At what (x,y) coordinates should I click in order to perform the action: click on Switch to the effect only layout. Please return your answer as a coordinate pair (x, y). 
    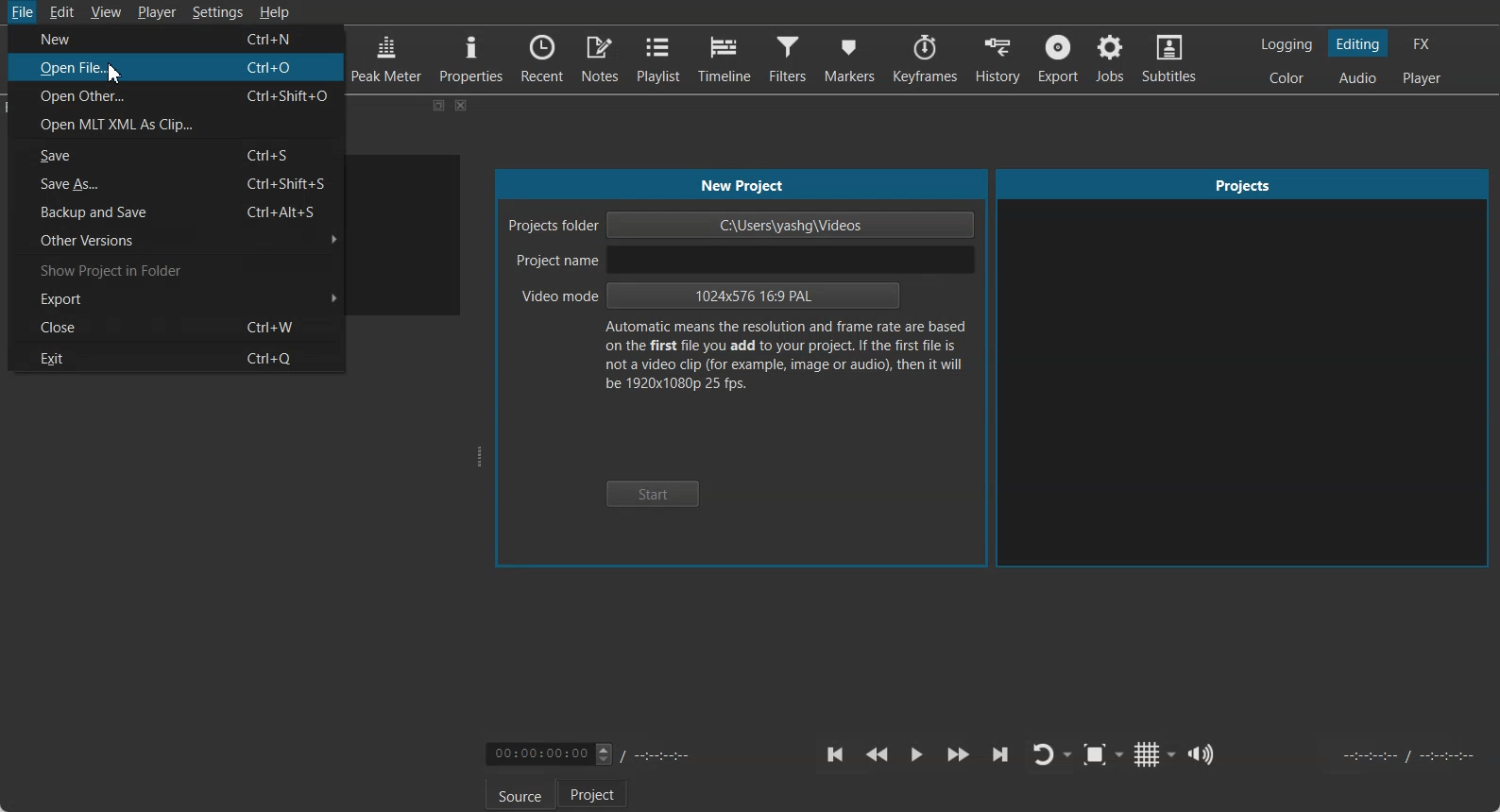
    Looking at the image, I should click on (1424, 43).